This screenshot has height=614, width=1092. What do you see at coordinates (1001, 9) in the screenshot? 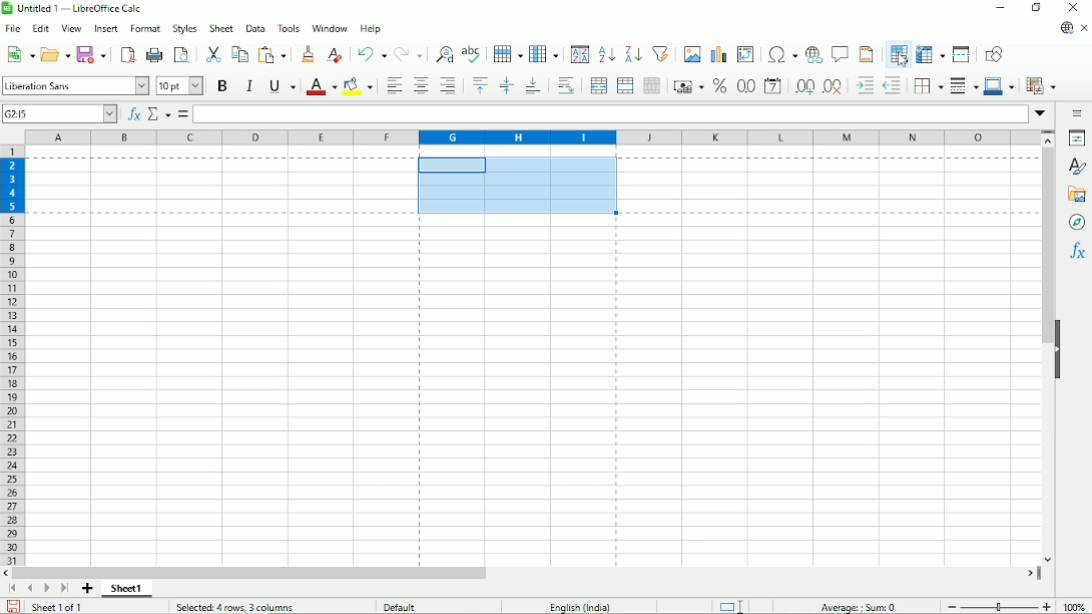
I see `Minimize` at bounding box center [1001, 9].